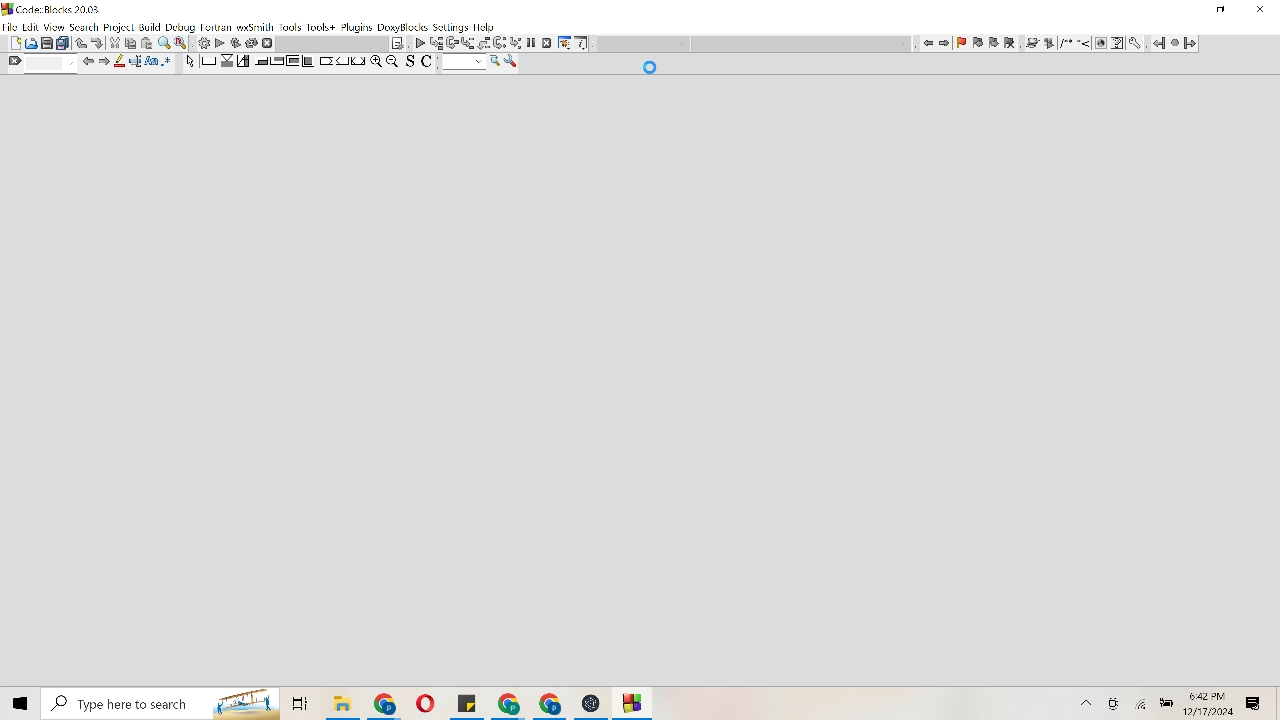 Image resolution: width=1280 pixels, height=720 pixels. I want to click on Zoom in, so click(376, 61).